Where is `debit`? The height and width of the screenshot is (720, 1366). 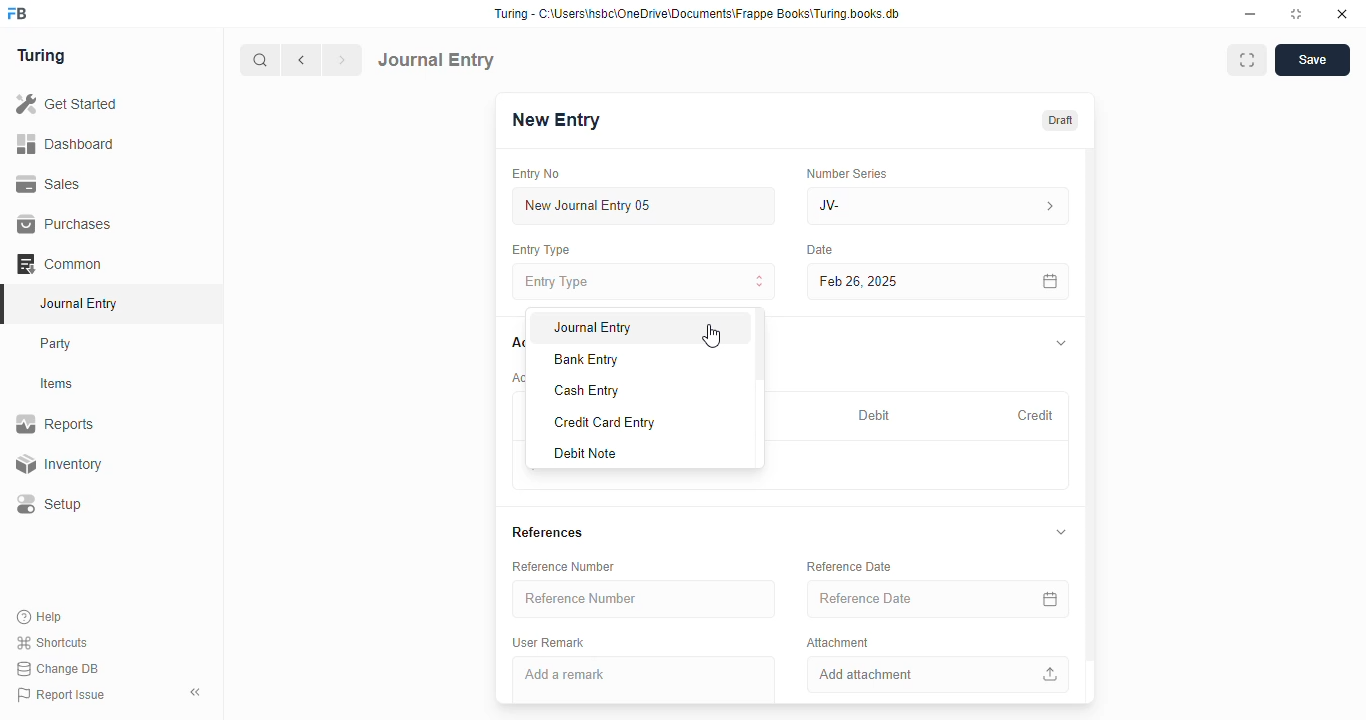
debit is located at coordinates (875, 415).